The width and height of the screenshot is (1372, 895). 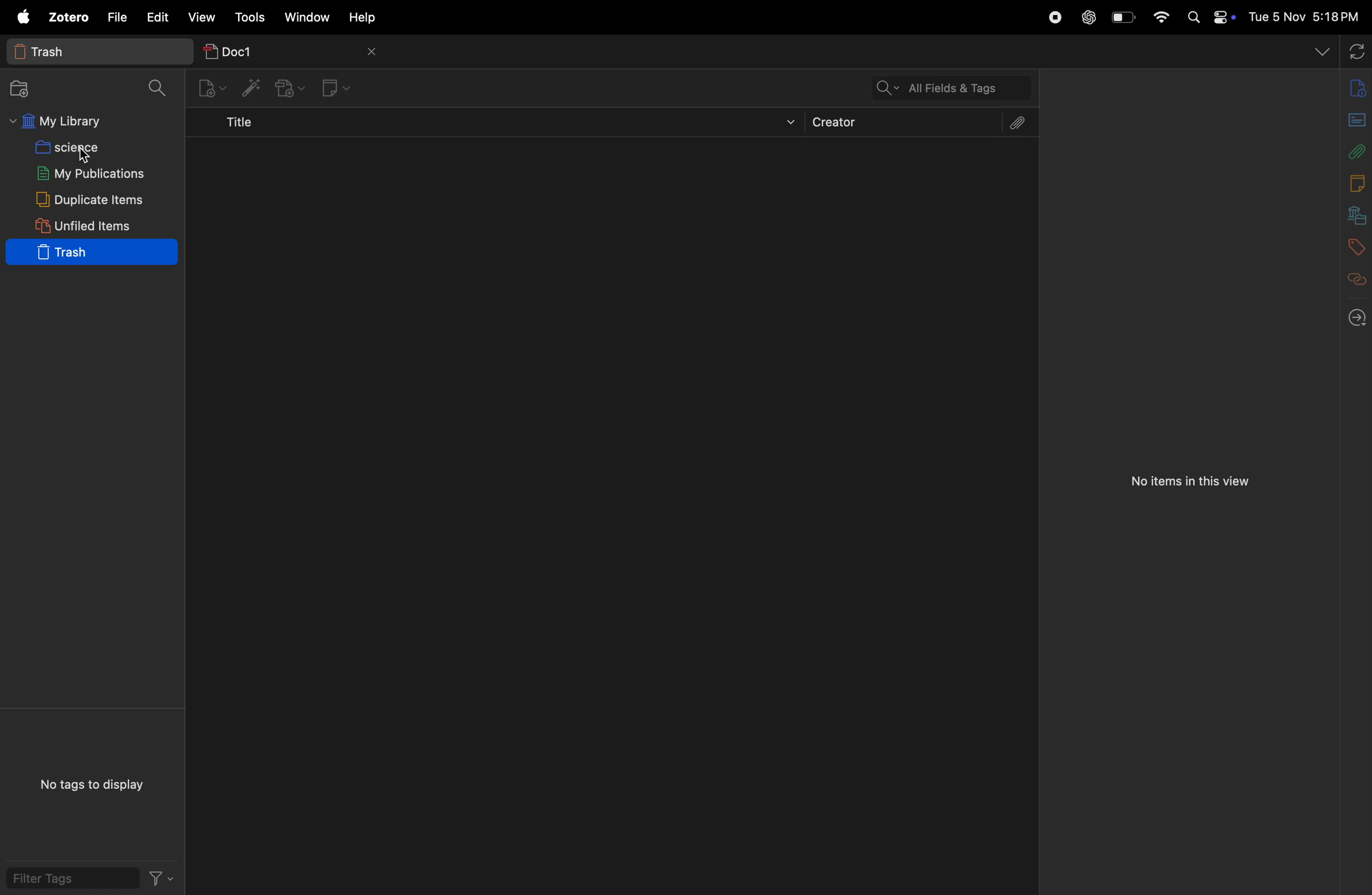 What do you see at coordinates (26, 89) in the screenshot?
I see `new collection` at bounding box center [26, 89].